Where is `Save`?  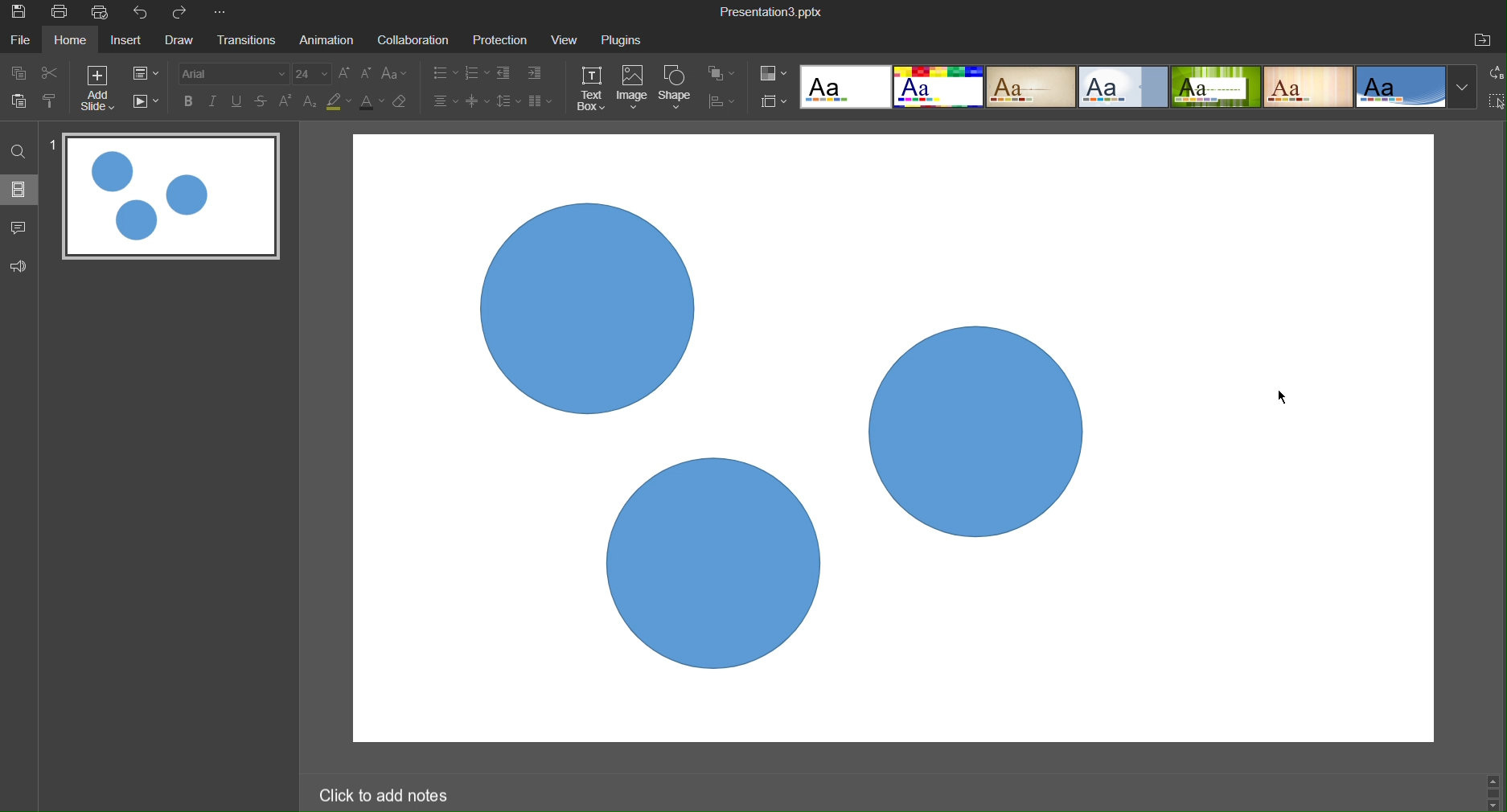 Save is located at coordinates (23, 15).